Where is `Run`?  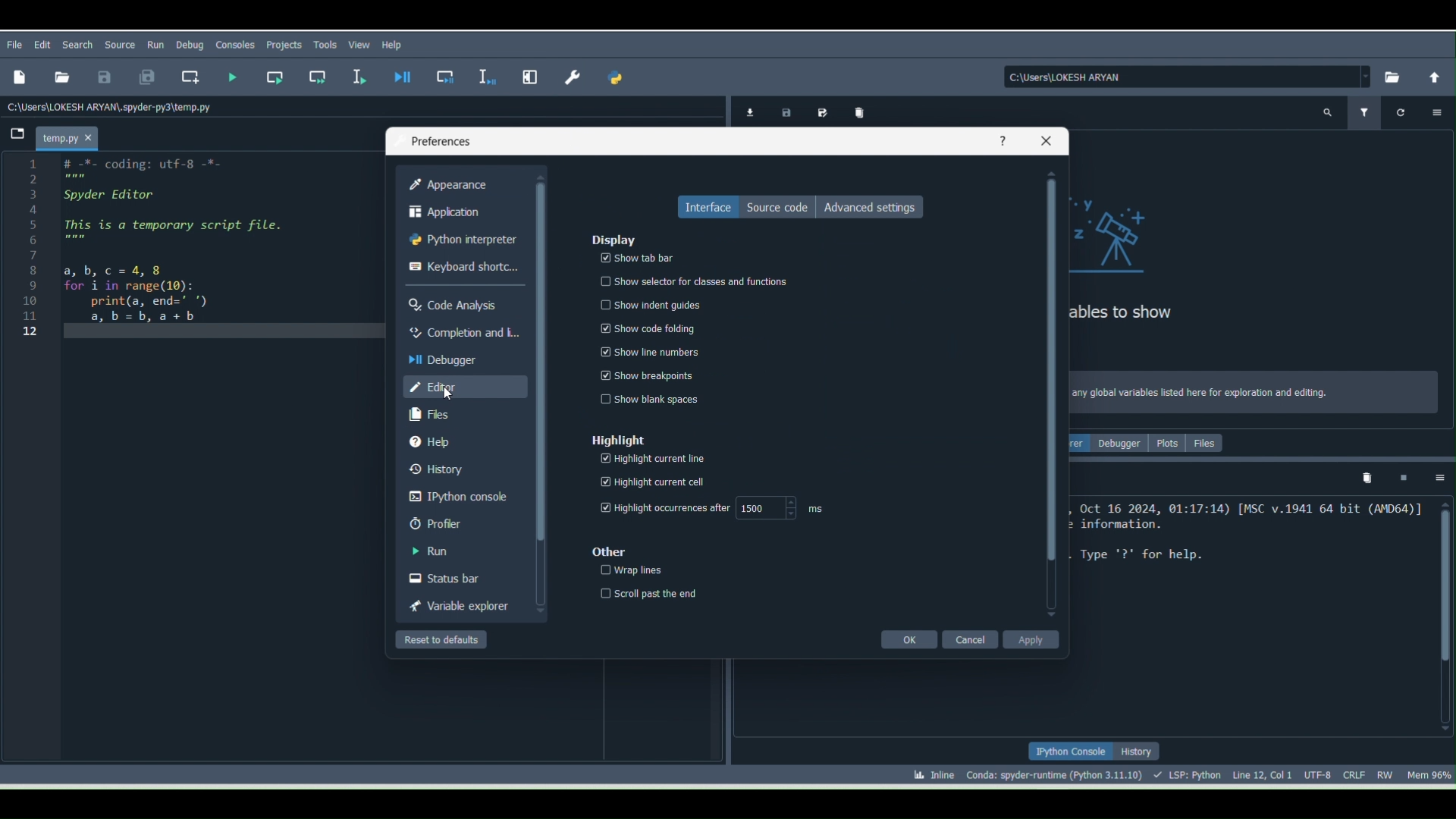 Run is located at coordinates (156, 42).